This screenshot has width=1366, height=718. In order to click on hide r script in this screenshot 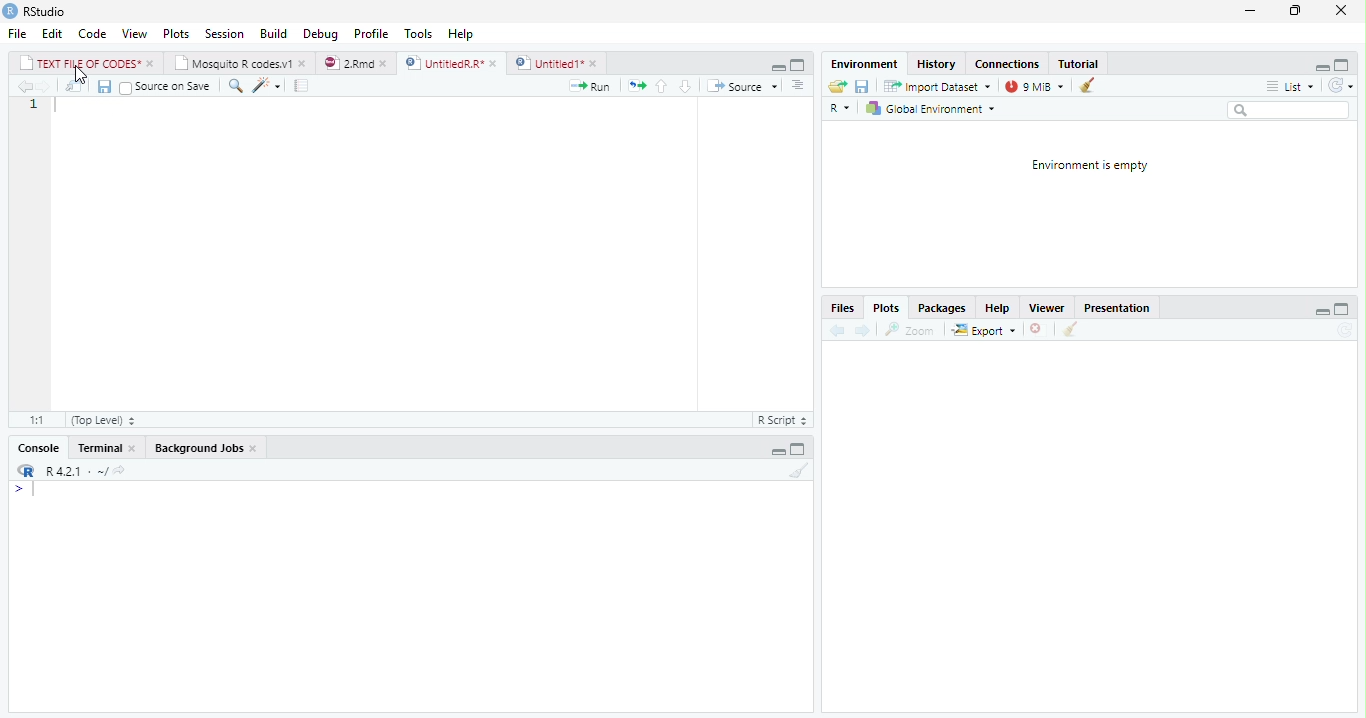, I will do `click(777, 450)`.